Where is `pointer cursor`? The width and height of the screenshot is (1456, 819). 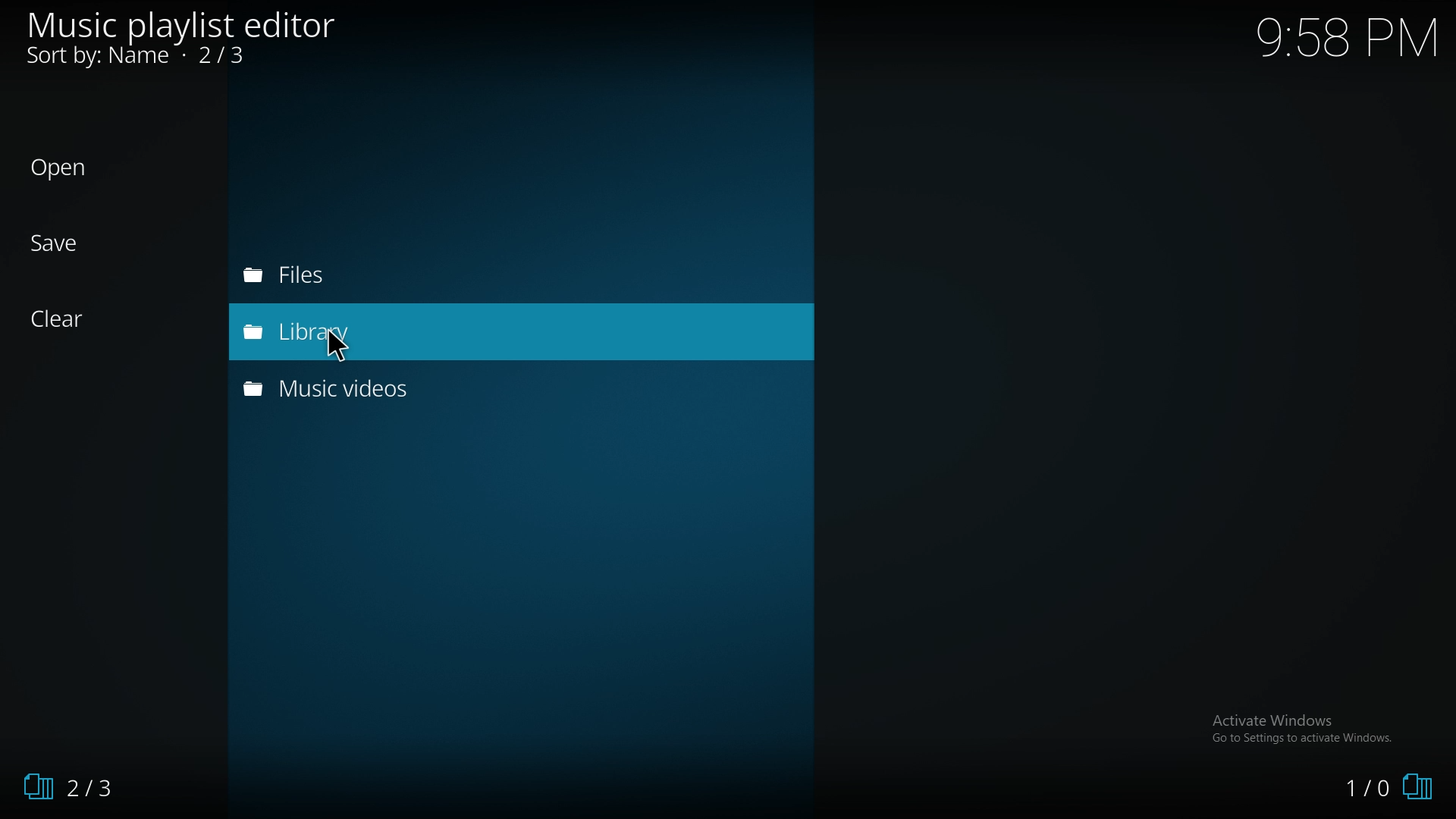 pointer cursor is located at coordinates (343, 344).